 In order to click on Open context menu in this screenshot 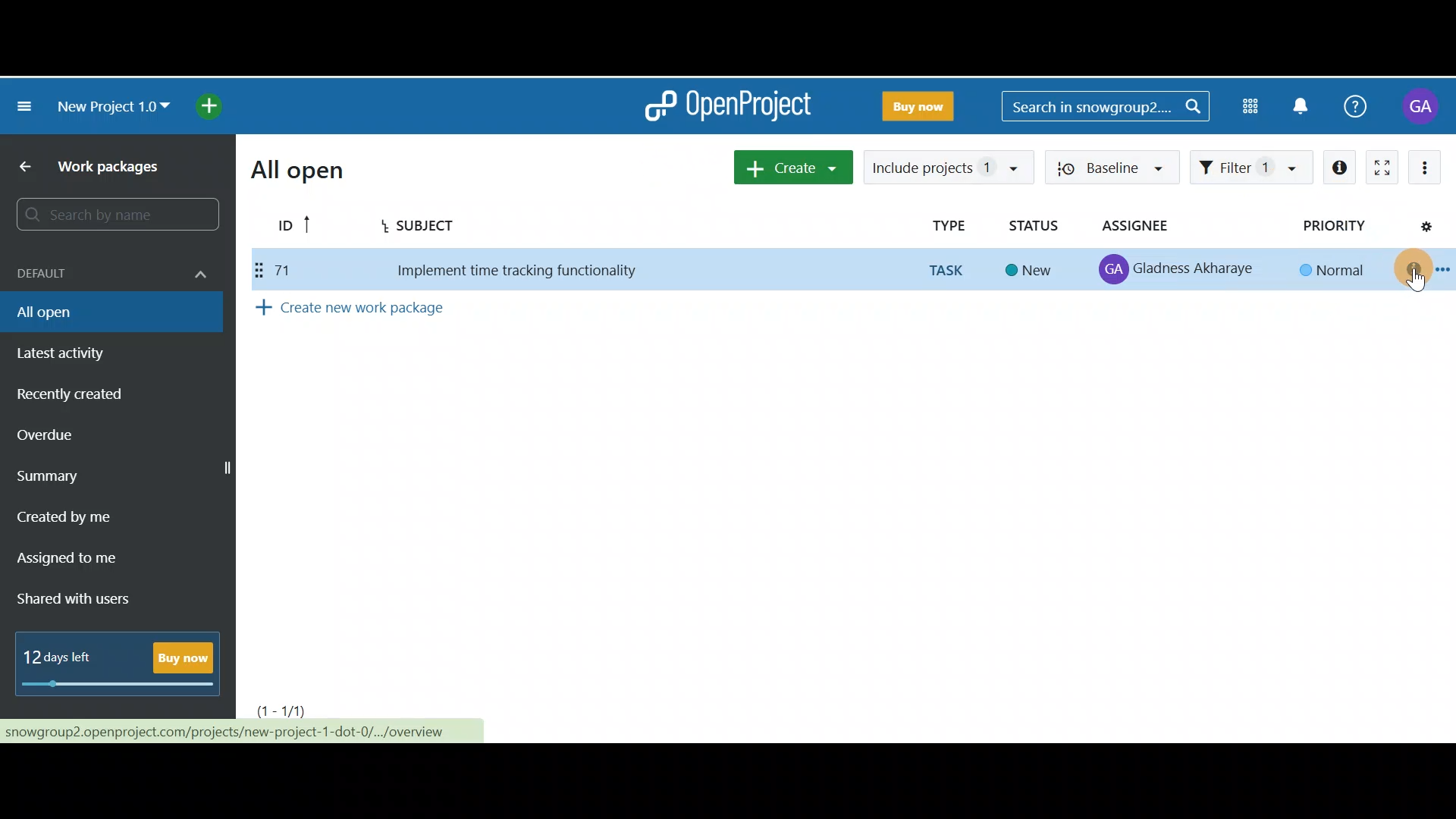, I will do `click(1442, 268)`.